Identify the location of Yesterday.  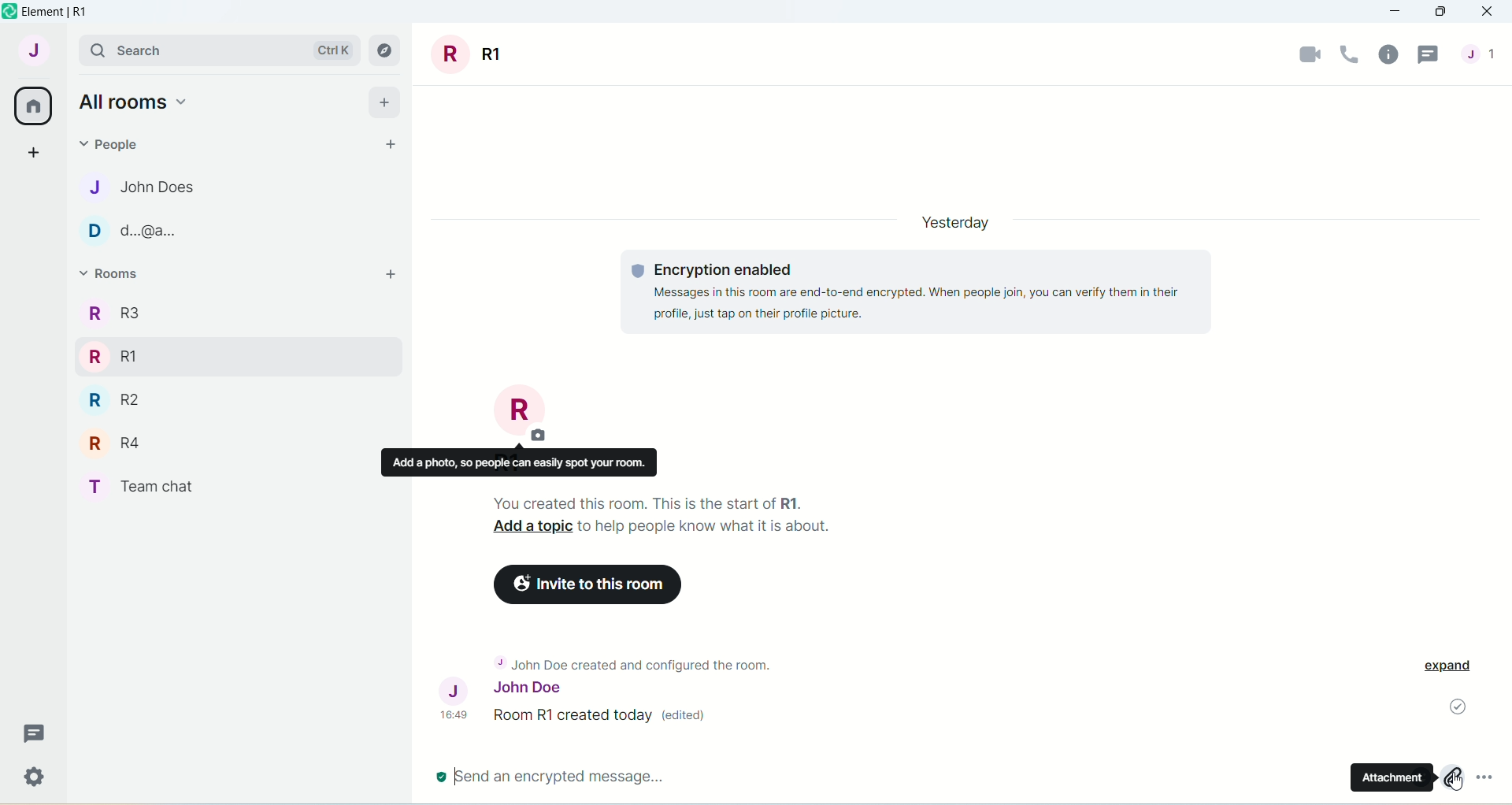
(949, 219).